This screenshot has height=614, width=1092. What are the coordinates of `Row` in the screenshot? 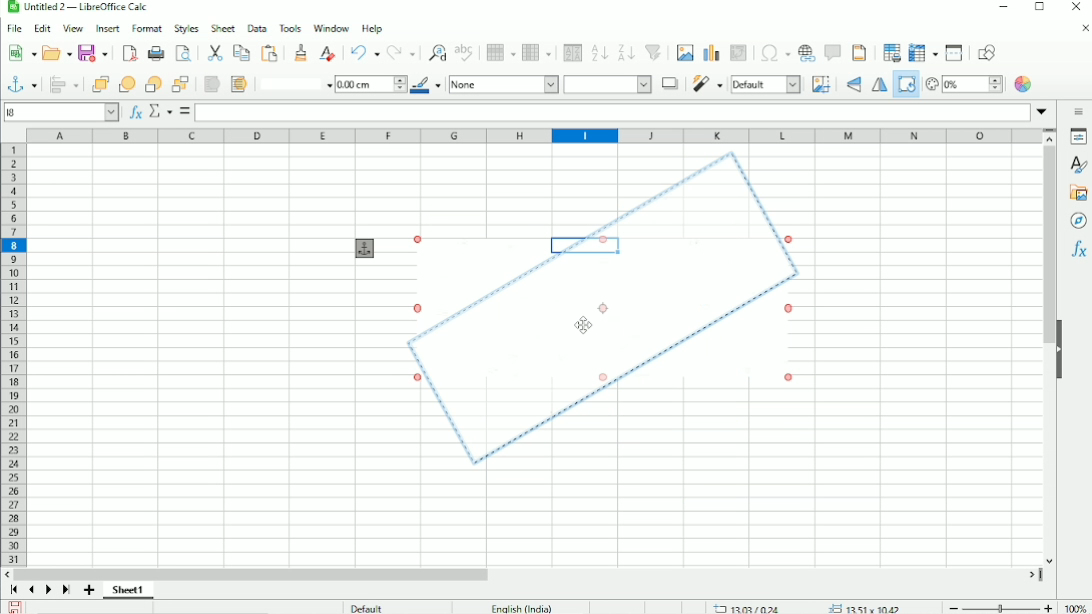 It's located at (499, 53).